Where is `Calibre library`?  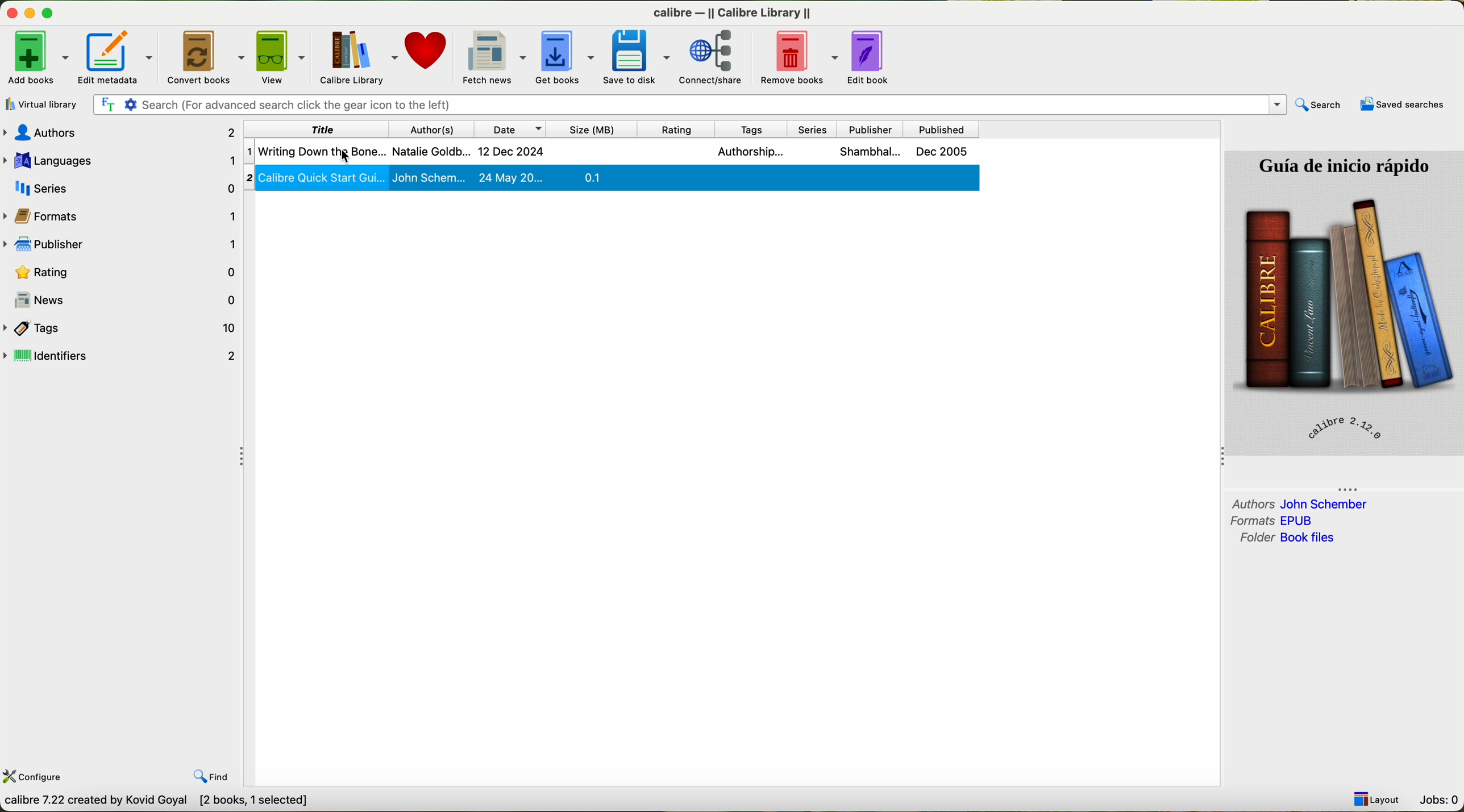
Calibre library is located at coordinates (360, 55).